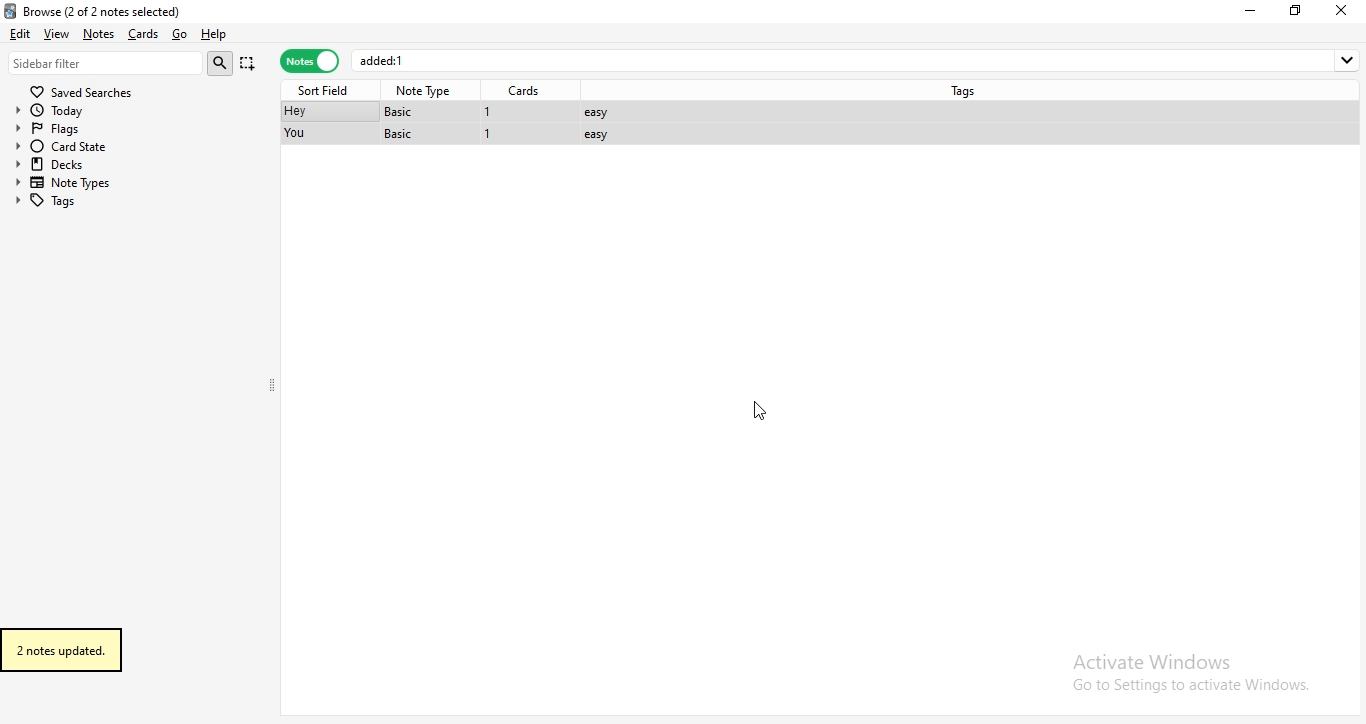  What do you see at coordinates (85, 89) in the screenshot?
I see `saves searches` at bounding box center [85, 89].